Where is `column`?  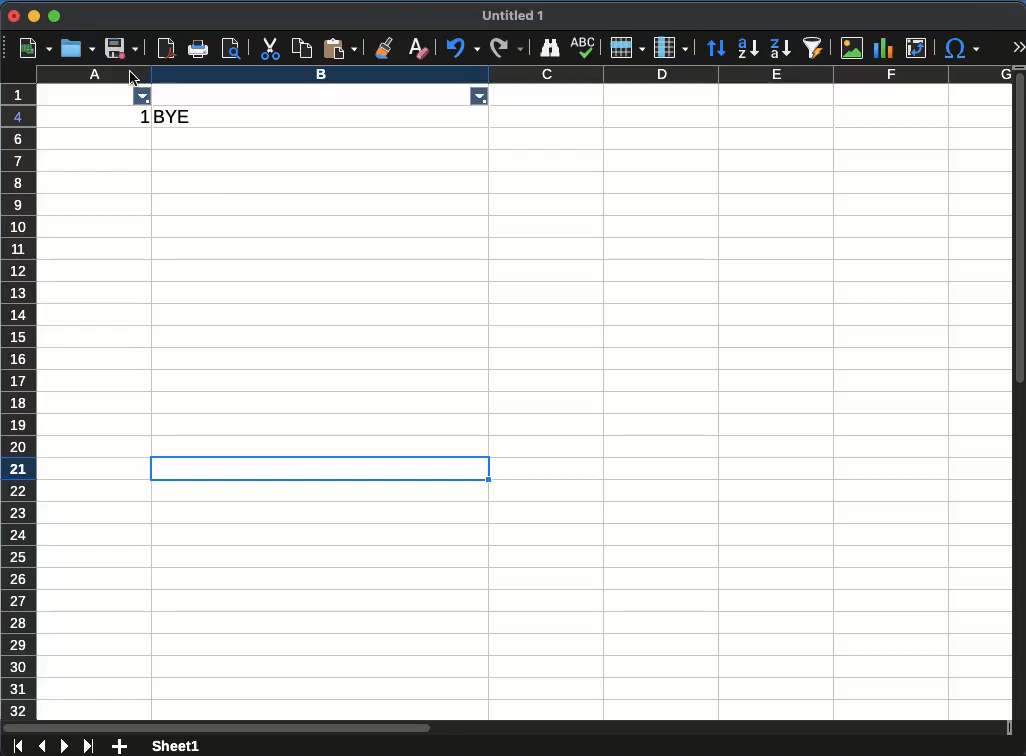
column is located at coordinates (670, 48).